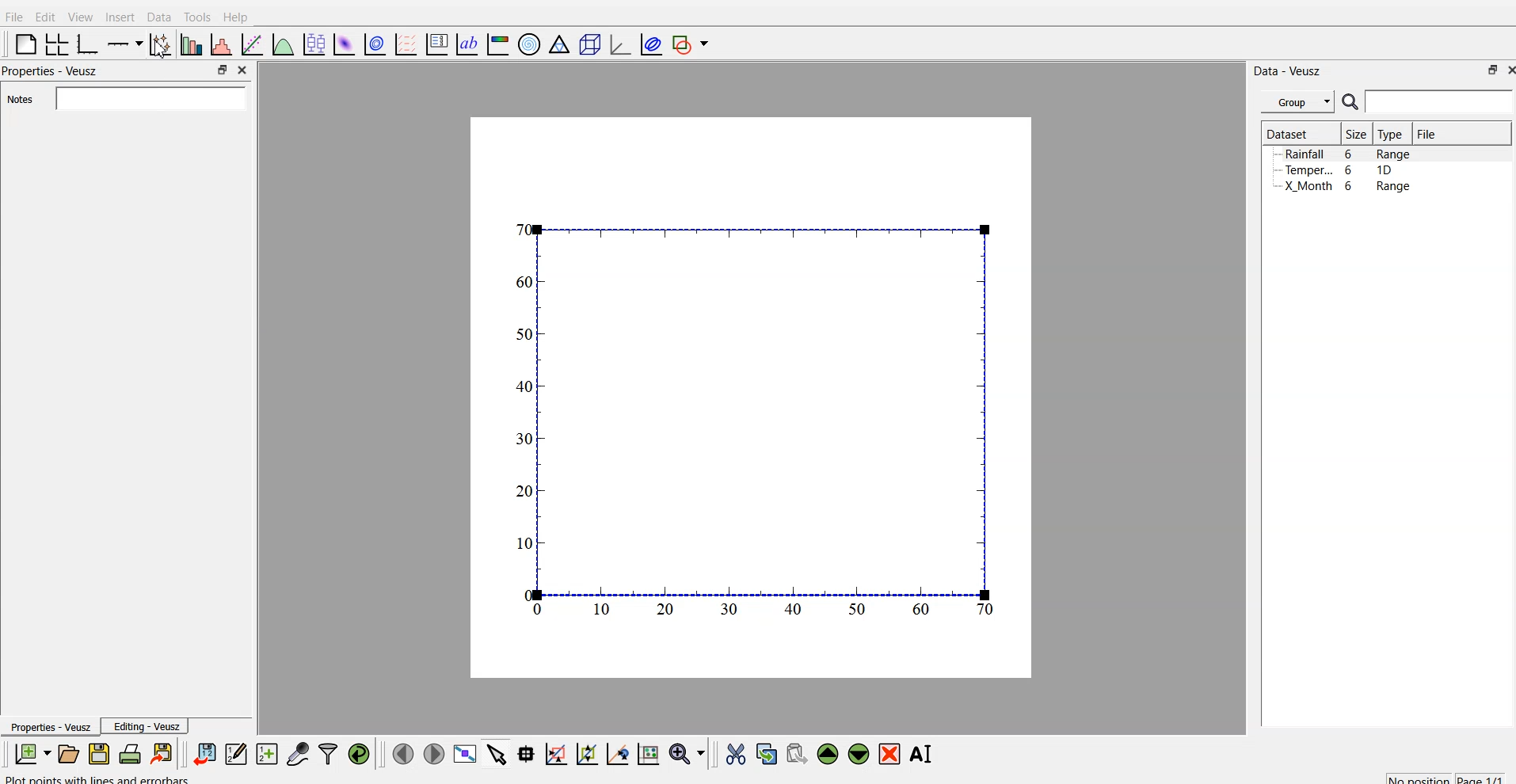  Describe the element at coordinates (97, 778) in the screenshot. I see `plot points with lines and numbers` at that location.